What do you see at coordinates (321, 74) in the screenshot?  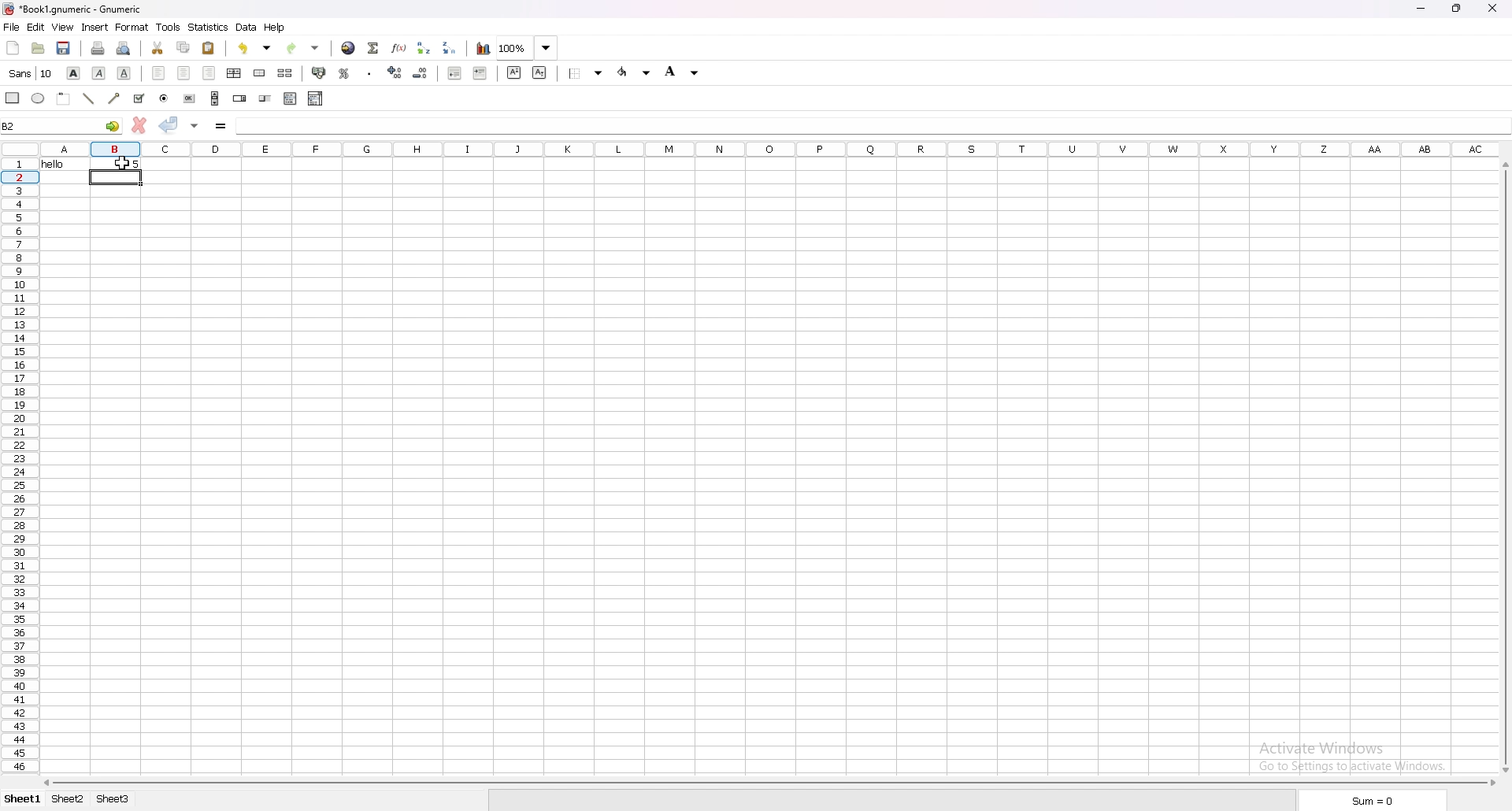 I see `accounting format` at bounding box center [321, 74].